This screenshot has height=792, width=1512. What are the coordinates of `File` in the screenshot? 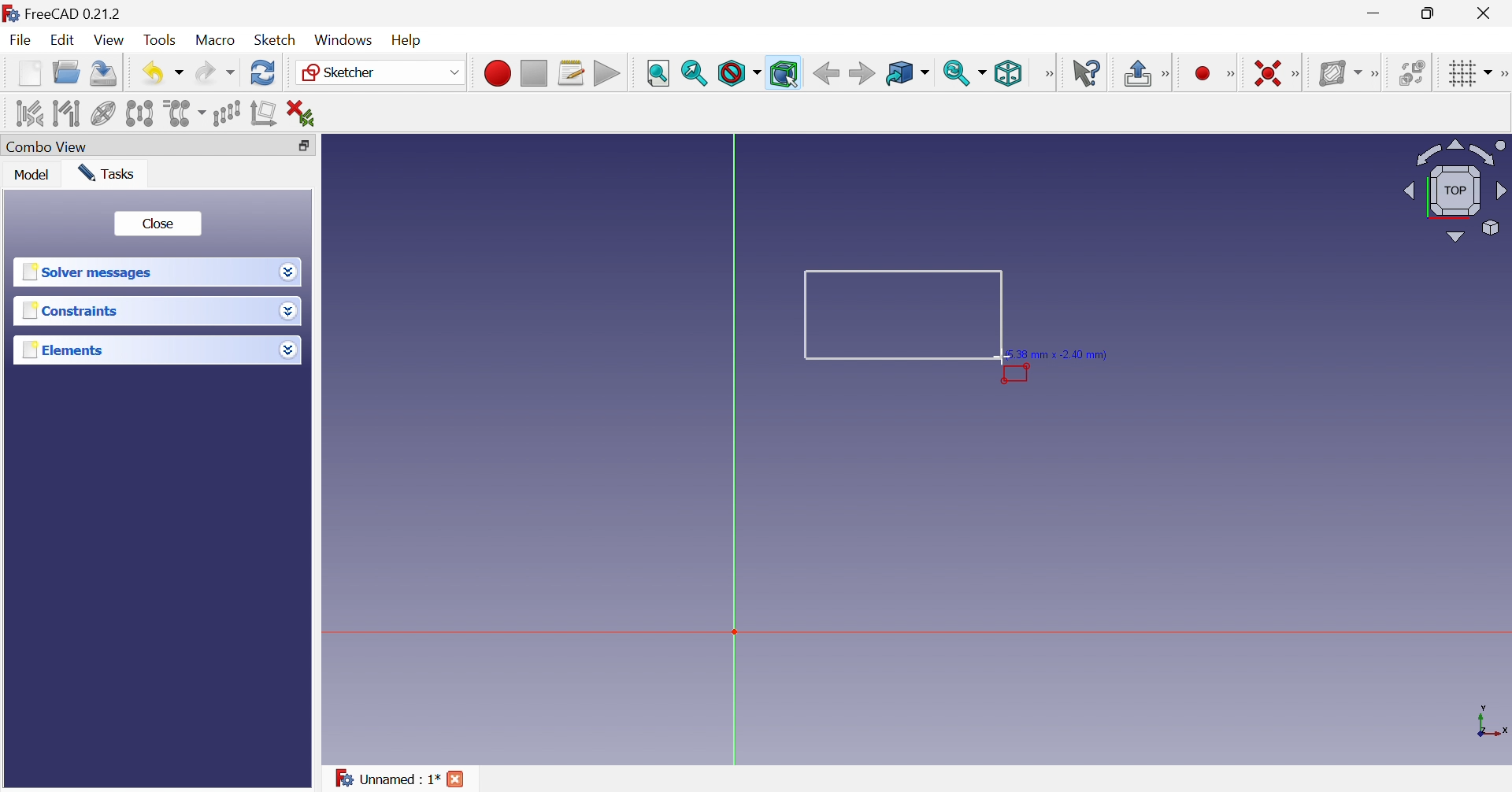 It's located at (22, 41).